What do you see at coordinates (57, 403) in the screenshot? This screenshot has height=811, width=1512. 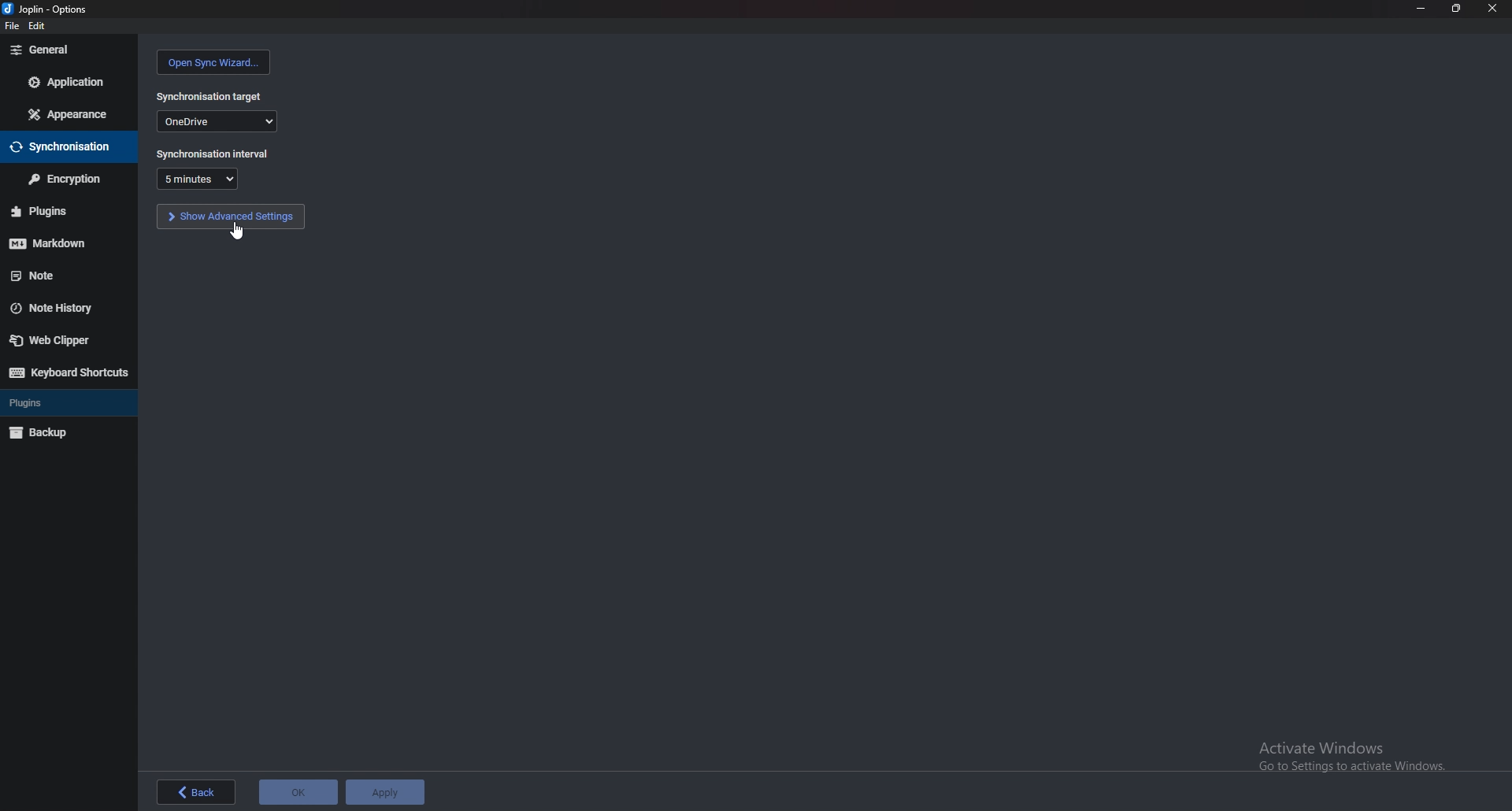 I see `plugins` at bounding box center [57, 403].